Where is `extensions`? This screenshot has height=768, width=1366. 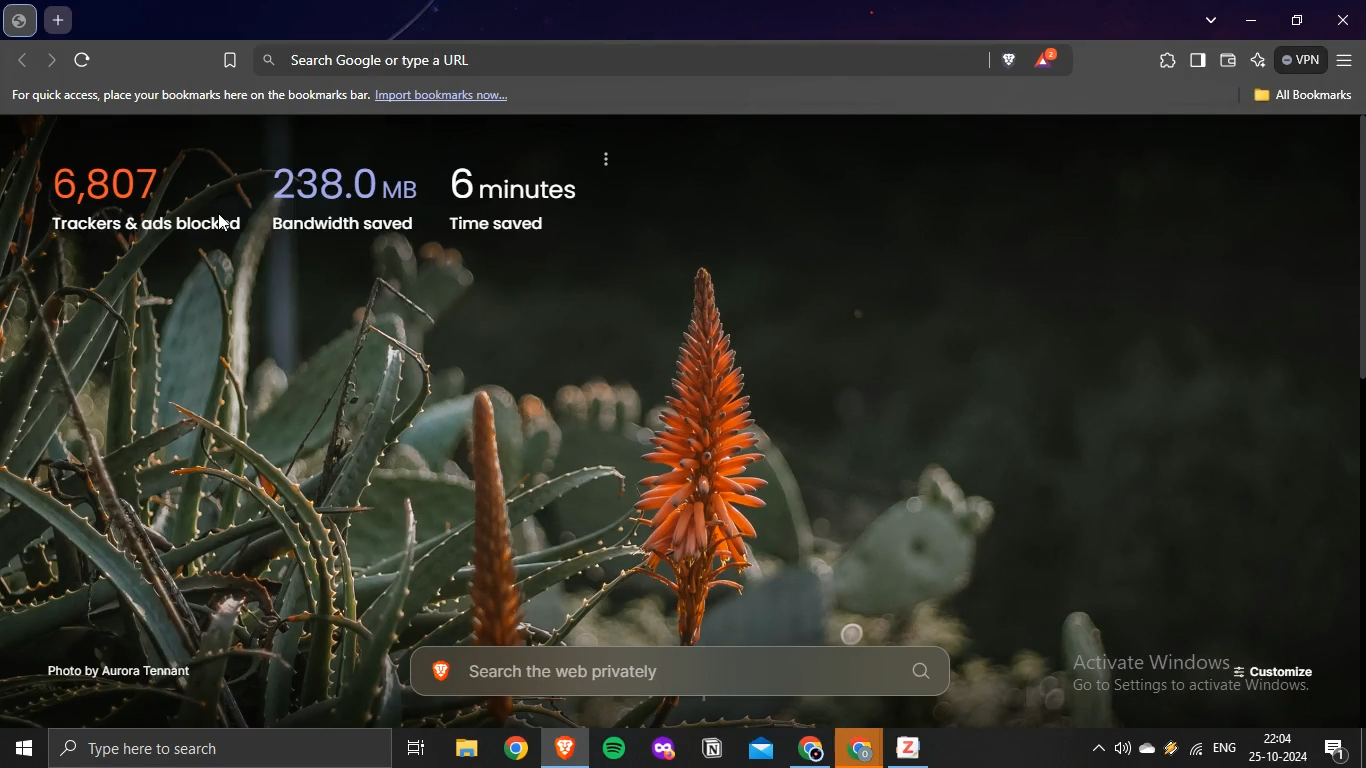 extensions is located at coordinates (1168, 61).